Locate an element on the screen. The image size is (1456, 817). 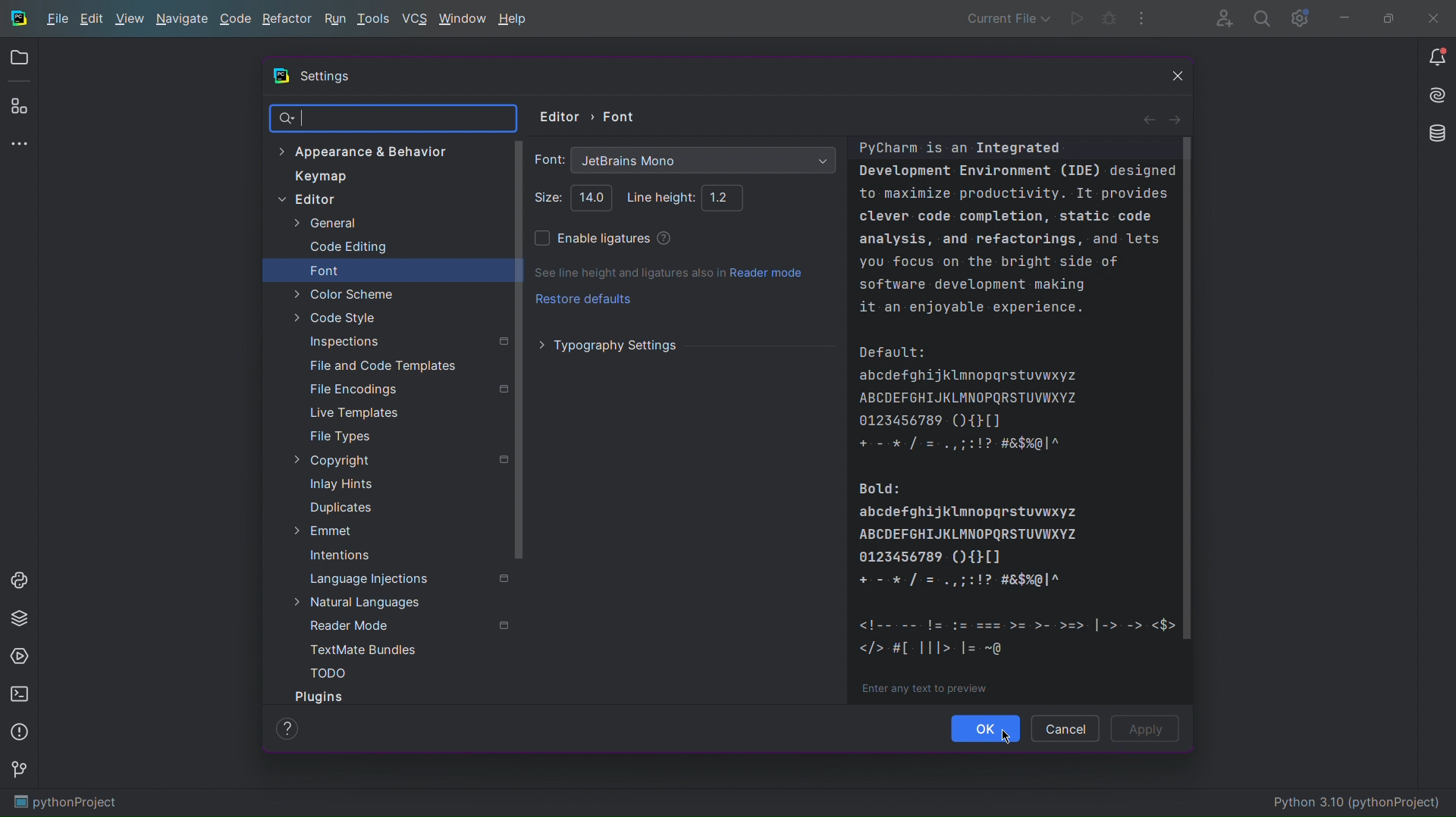
Python Packages is located at coordinates (21, 618).